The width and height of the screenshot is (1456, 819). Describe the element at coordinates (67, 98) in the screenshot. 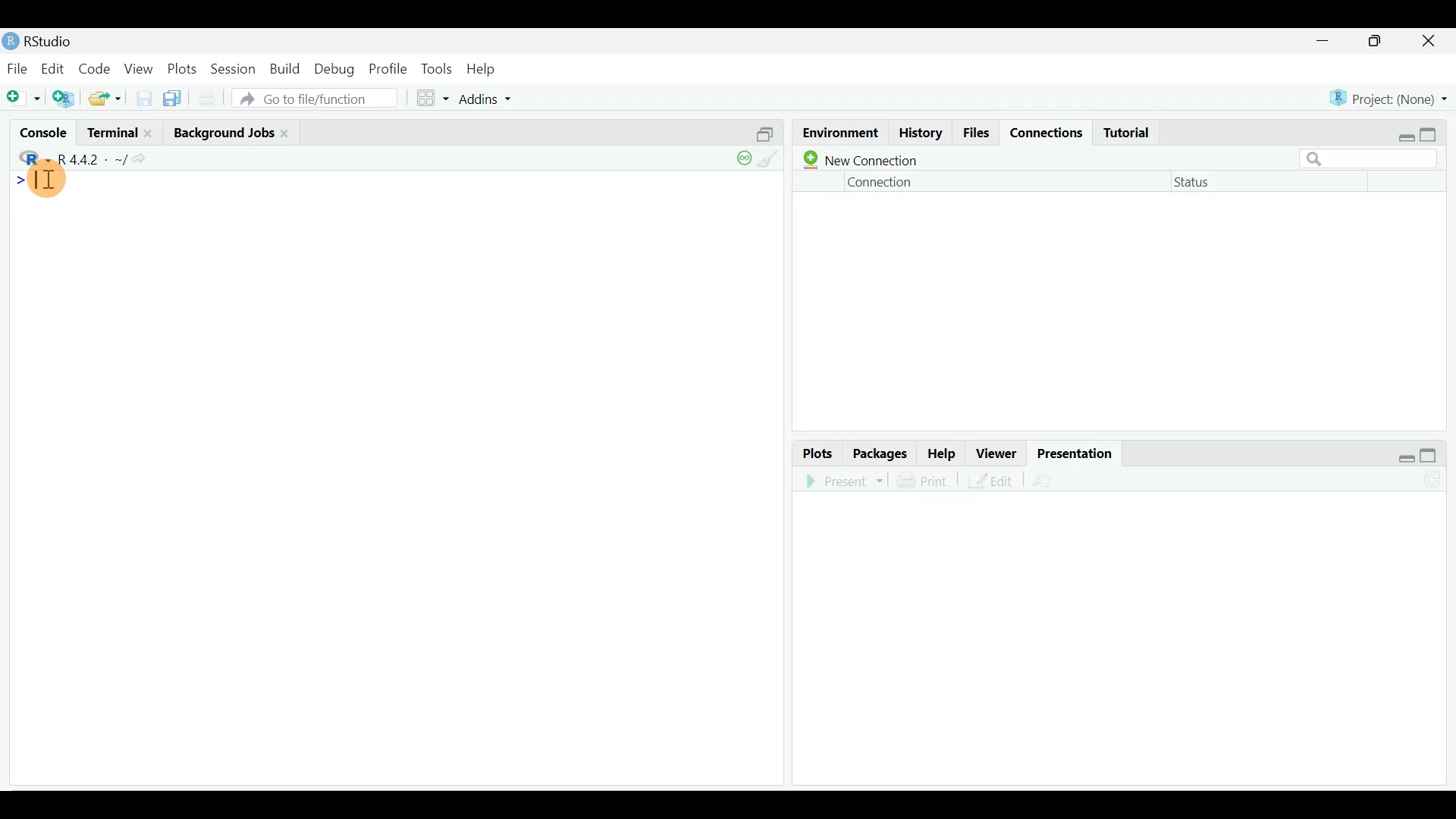

I see `Create a project` at that location.